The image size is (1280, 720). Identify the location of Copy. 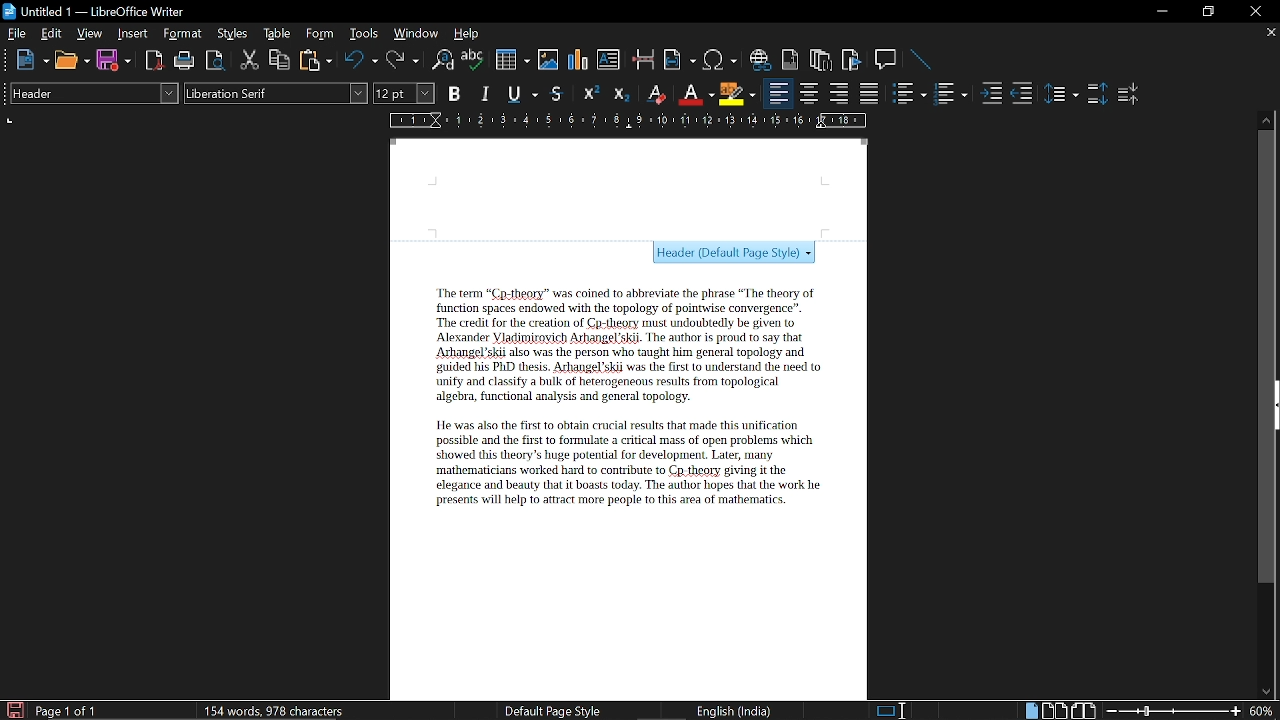
(278, 60).